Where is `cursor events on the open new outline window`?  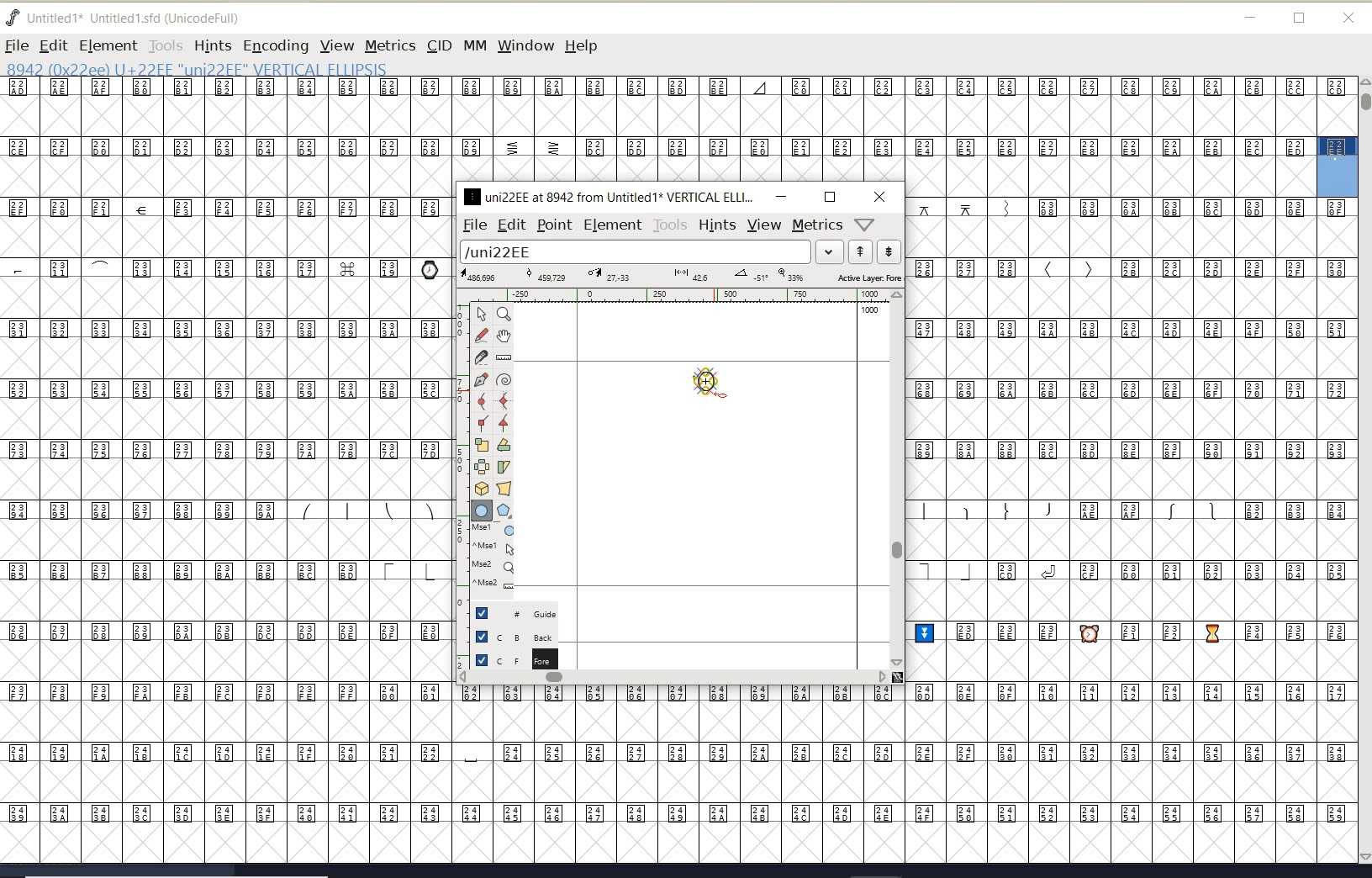 cursor events on the open new outline window is located at coordinates (495, 557).